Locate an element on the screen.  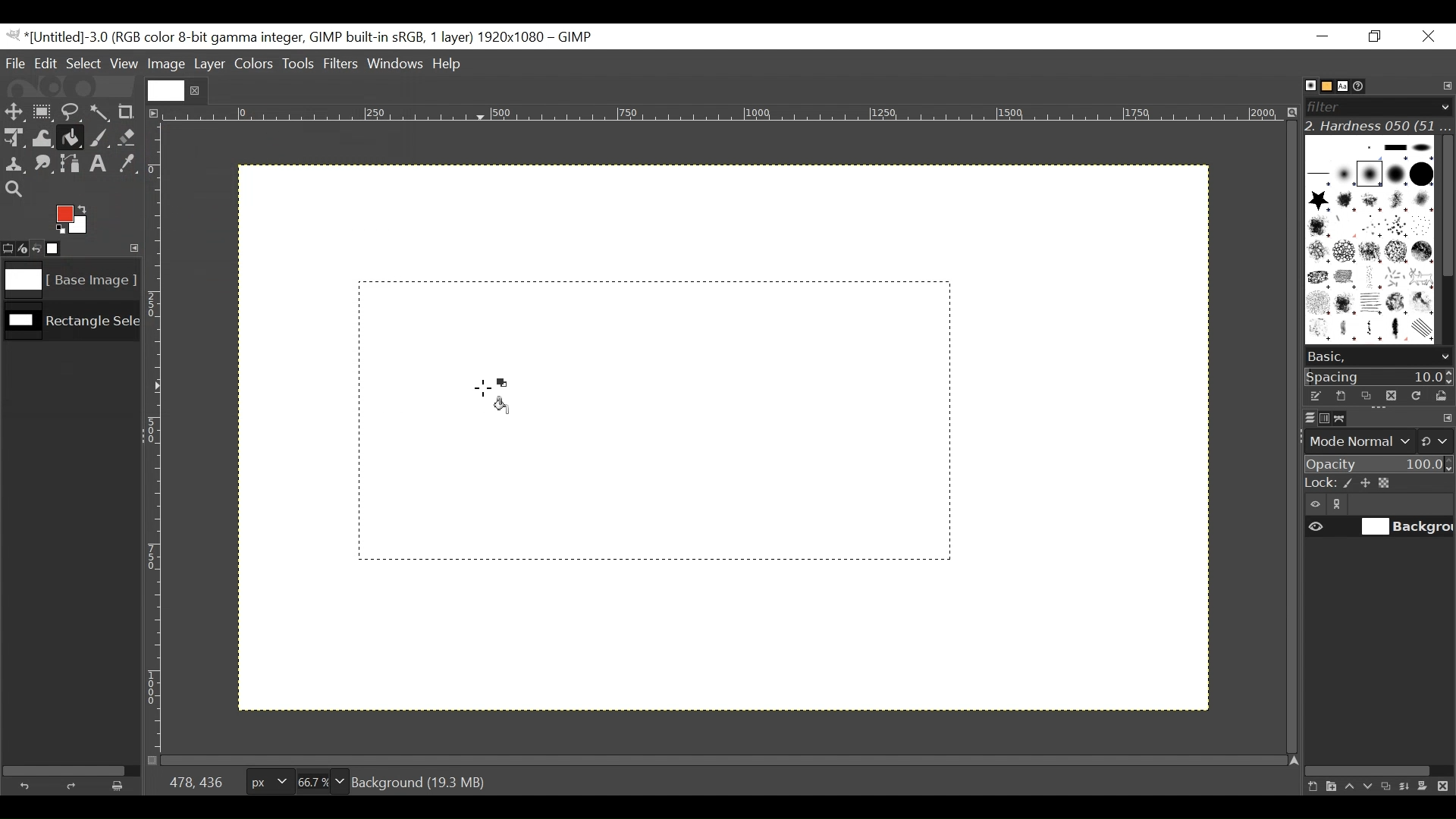
Active Foreground color is located at coordinates (77, 217).